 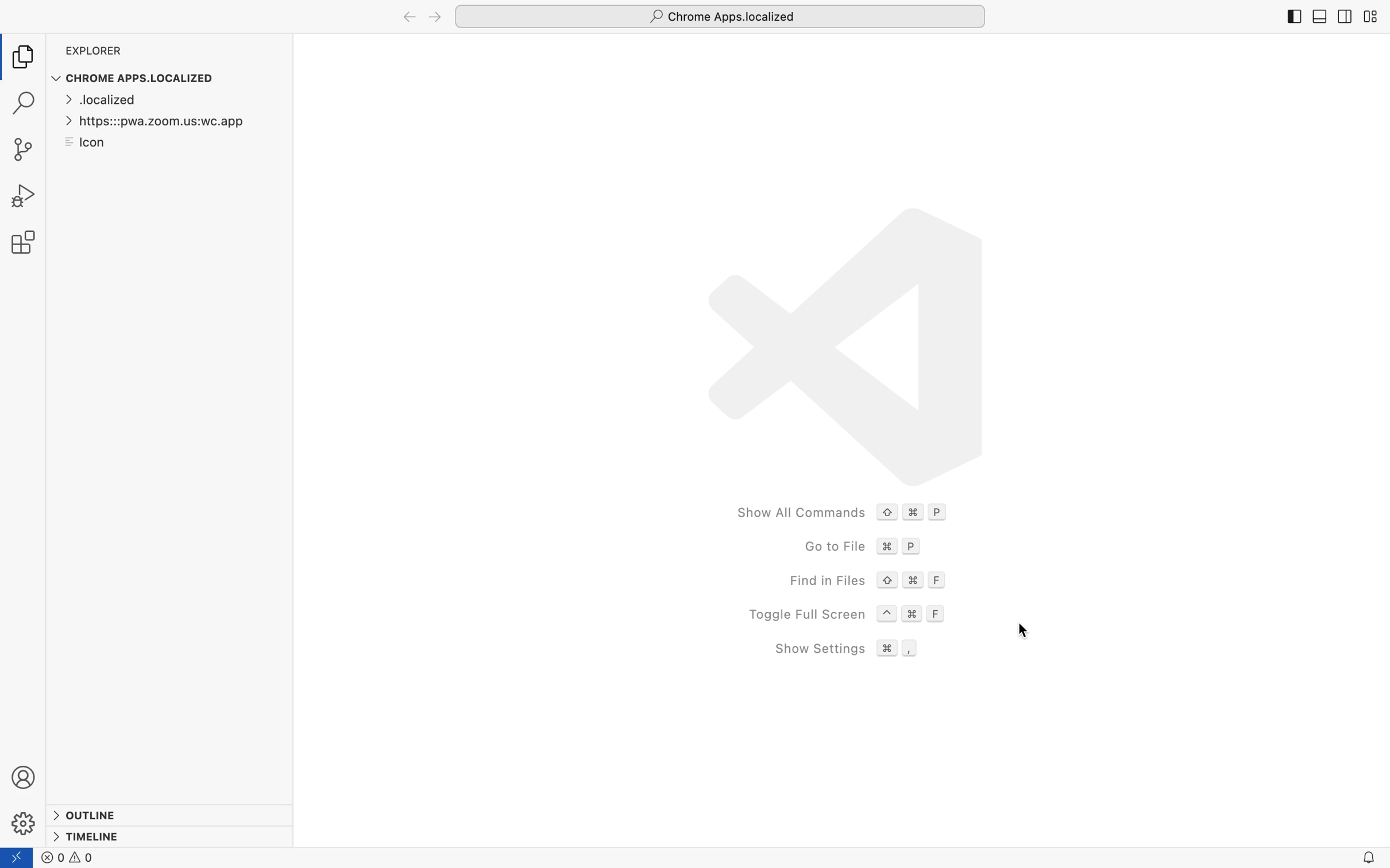 What do you see at coordinates (408, 18) in the screenshot?
I see `back` at bounding box center [408, 18].